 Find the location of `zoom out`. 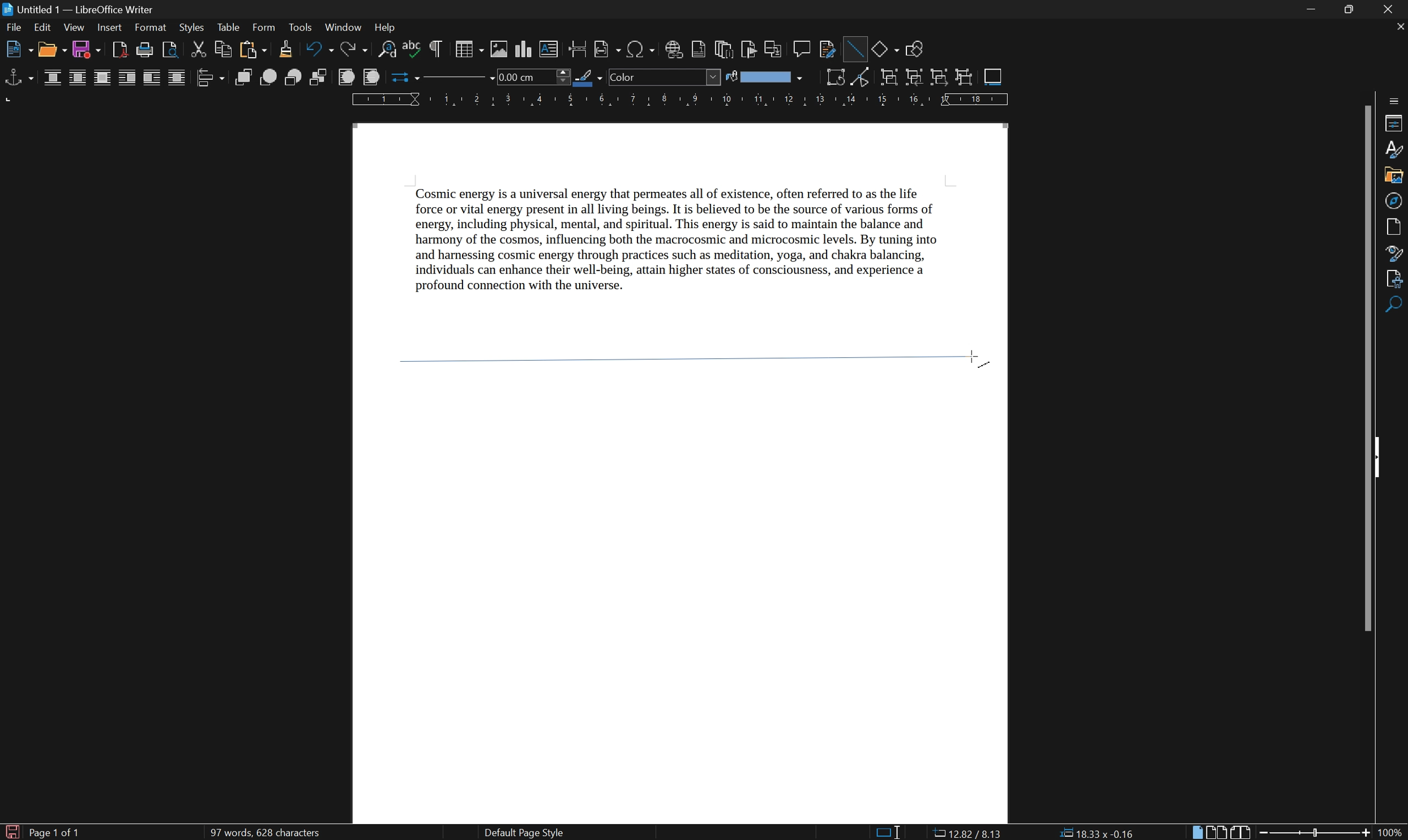

zoom out is located at coordinates (1265, 833).